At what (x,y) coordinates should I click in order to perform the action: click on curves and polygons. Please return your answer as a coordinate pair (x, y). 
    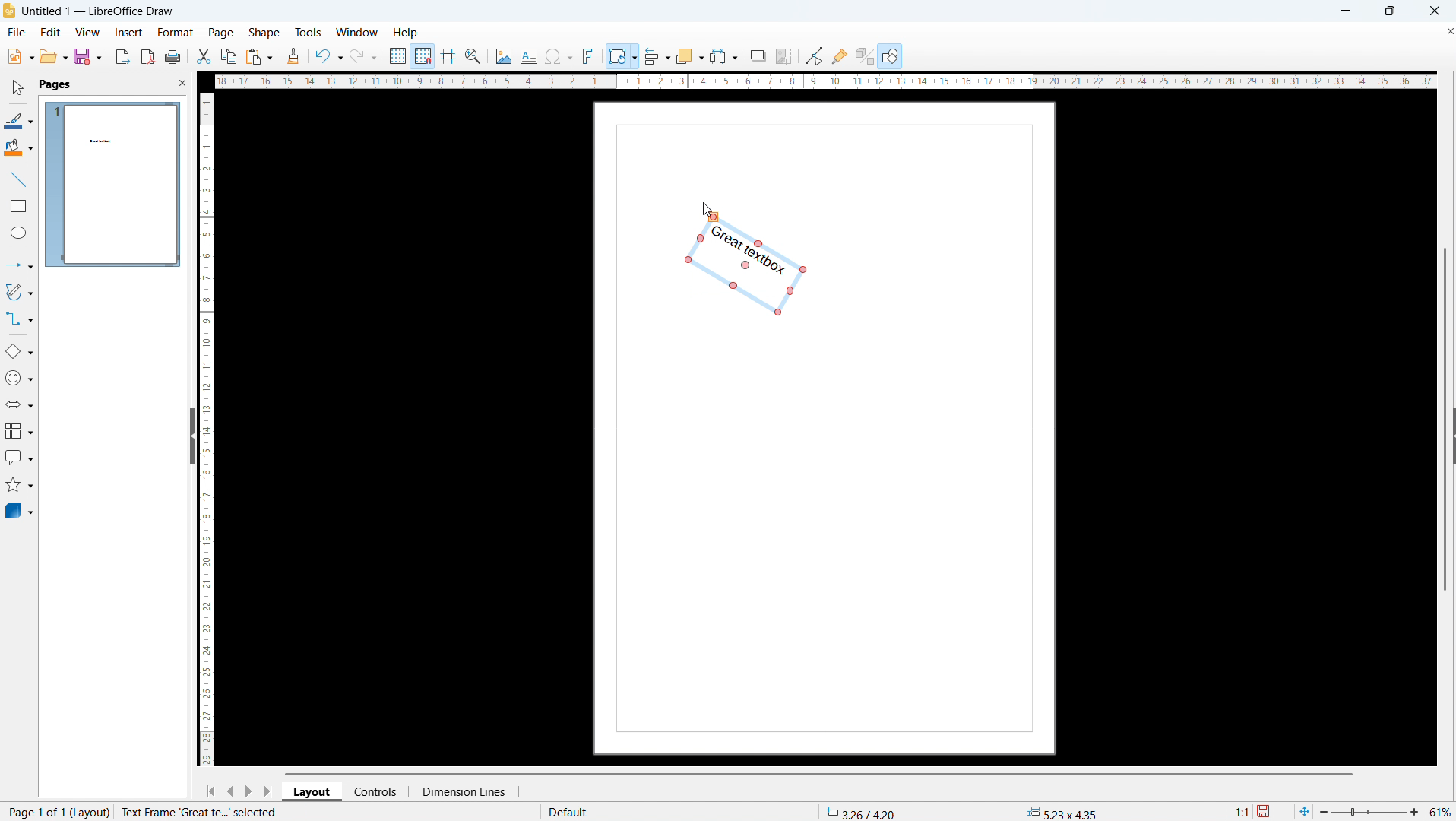
    Looking at the image, I should click on (18, 293).